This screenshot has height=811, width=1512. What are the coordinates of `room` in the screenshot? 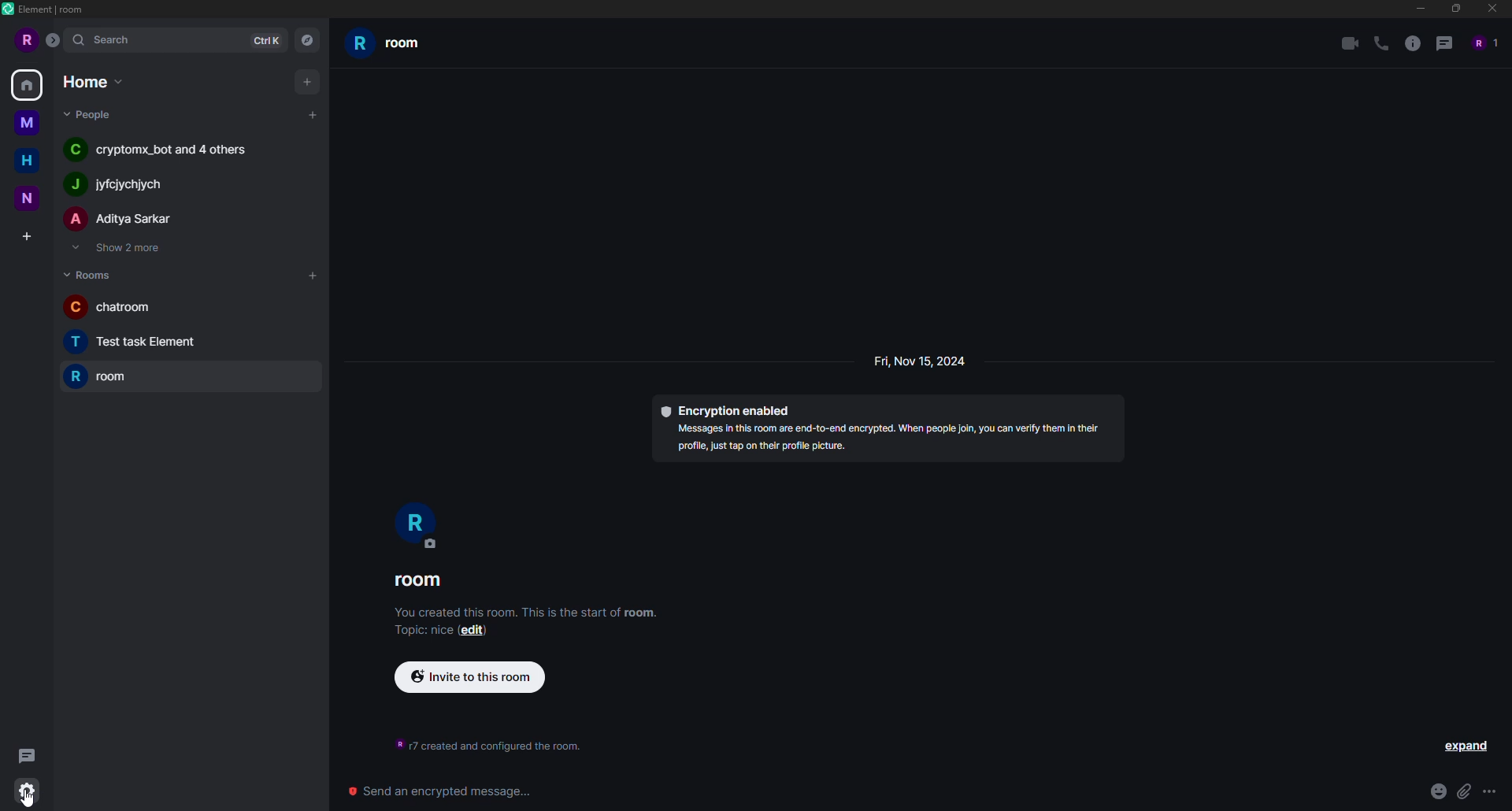 It's located at (391, 47).